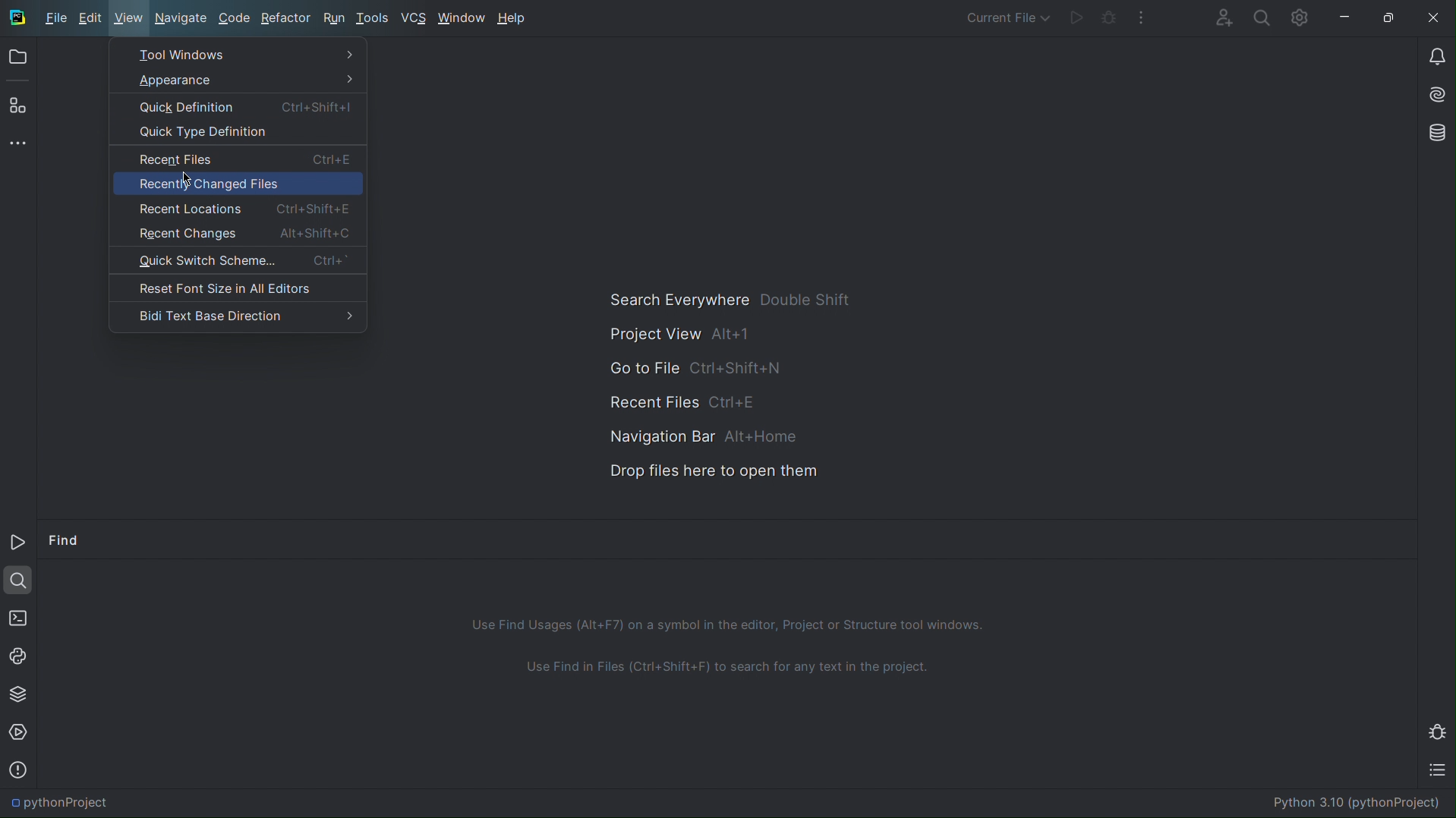  What do you see at coordinates (685, 335) in the screenshot?
I see `Project View` at bounding box center [685, 335].